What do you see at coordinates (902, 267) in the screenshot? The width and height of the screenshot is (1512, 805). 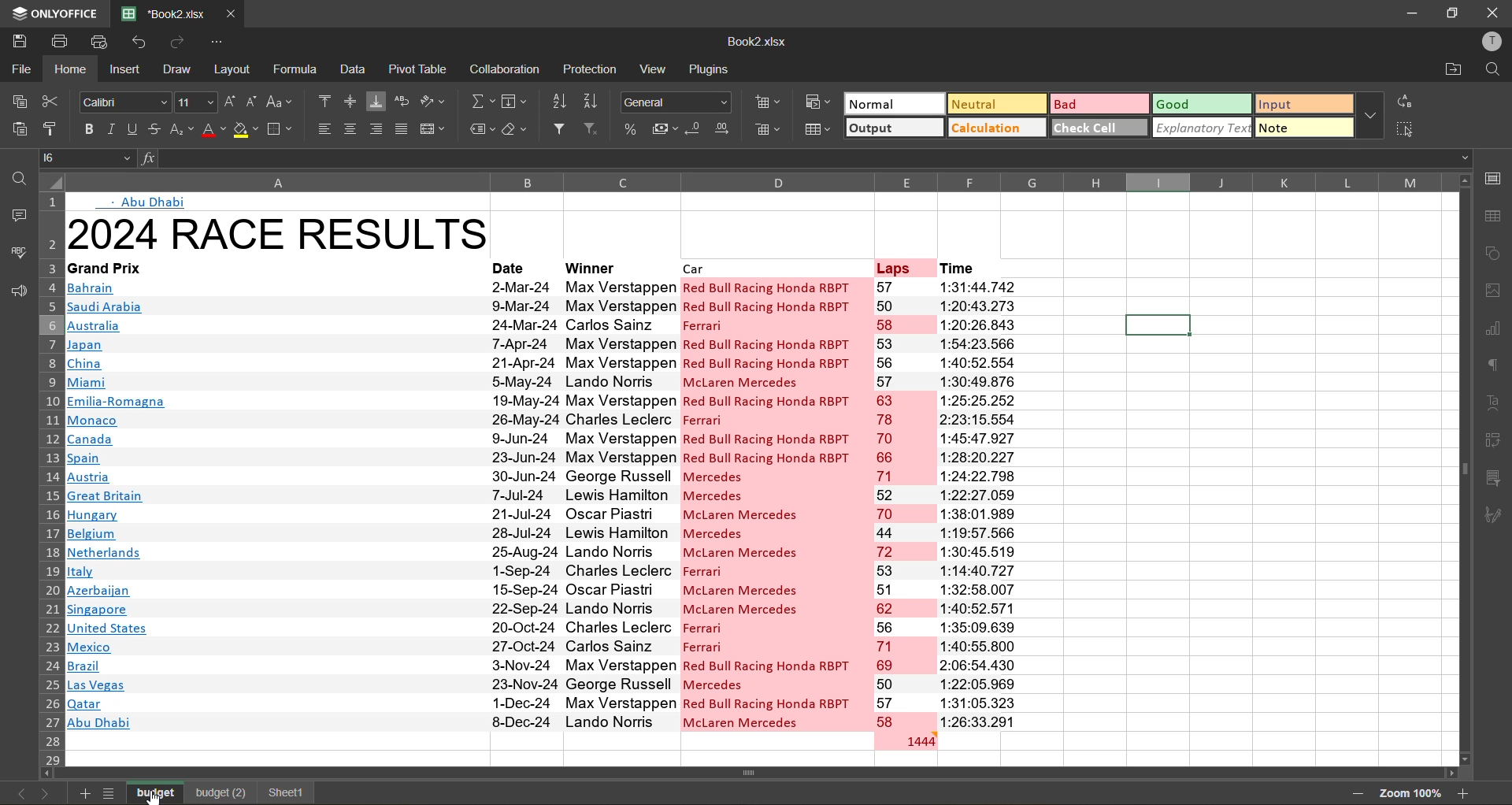 I see `laps` at bounding box center [902, 267].